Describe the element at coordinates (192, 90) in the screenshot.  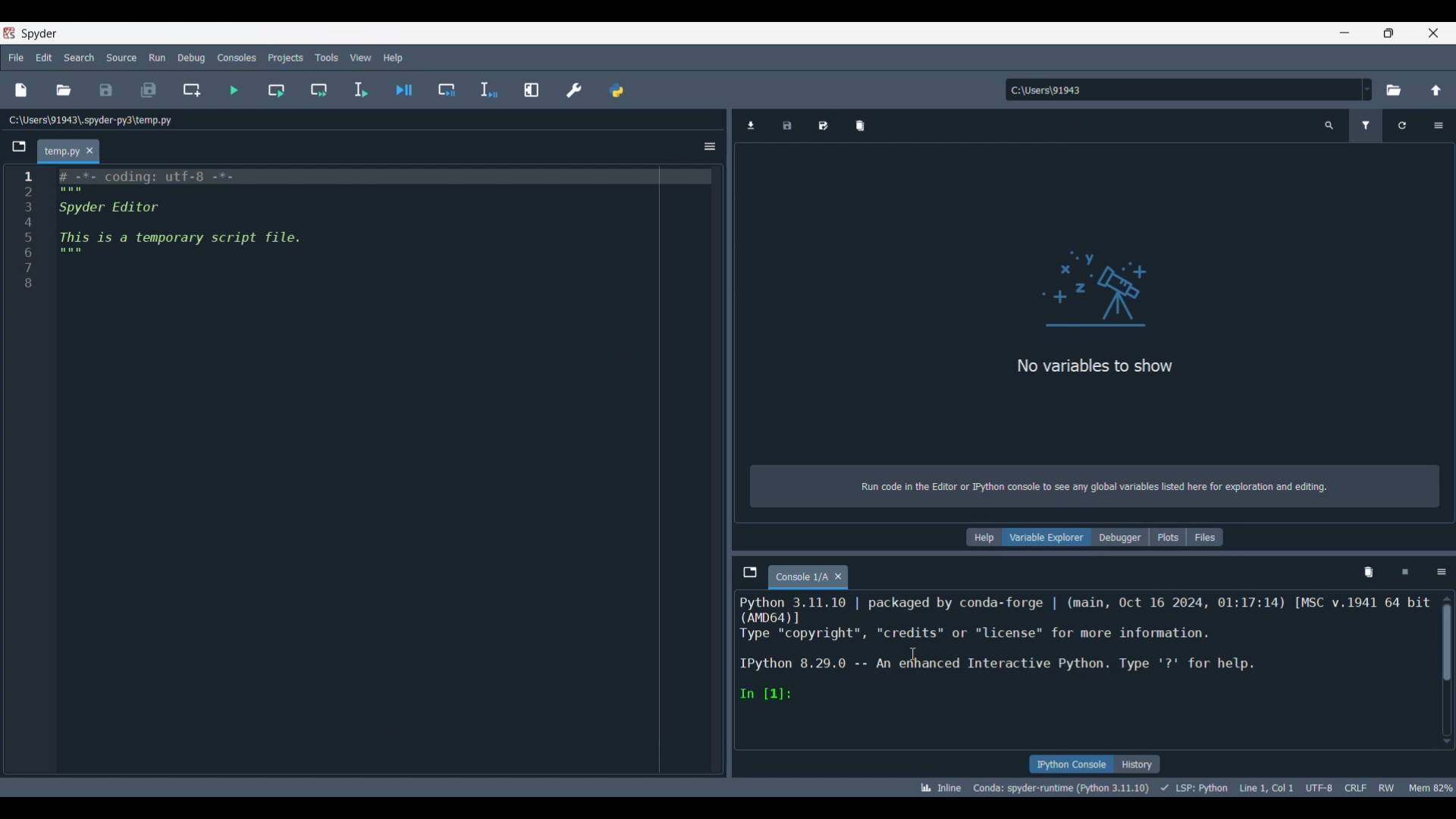
I see `Create new cell at current line` at that location.